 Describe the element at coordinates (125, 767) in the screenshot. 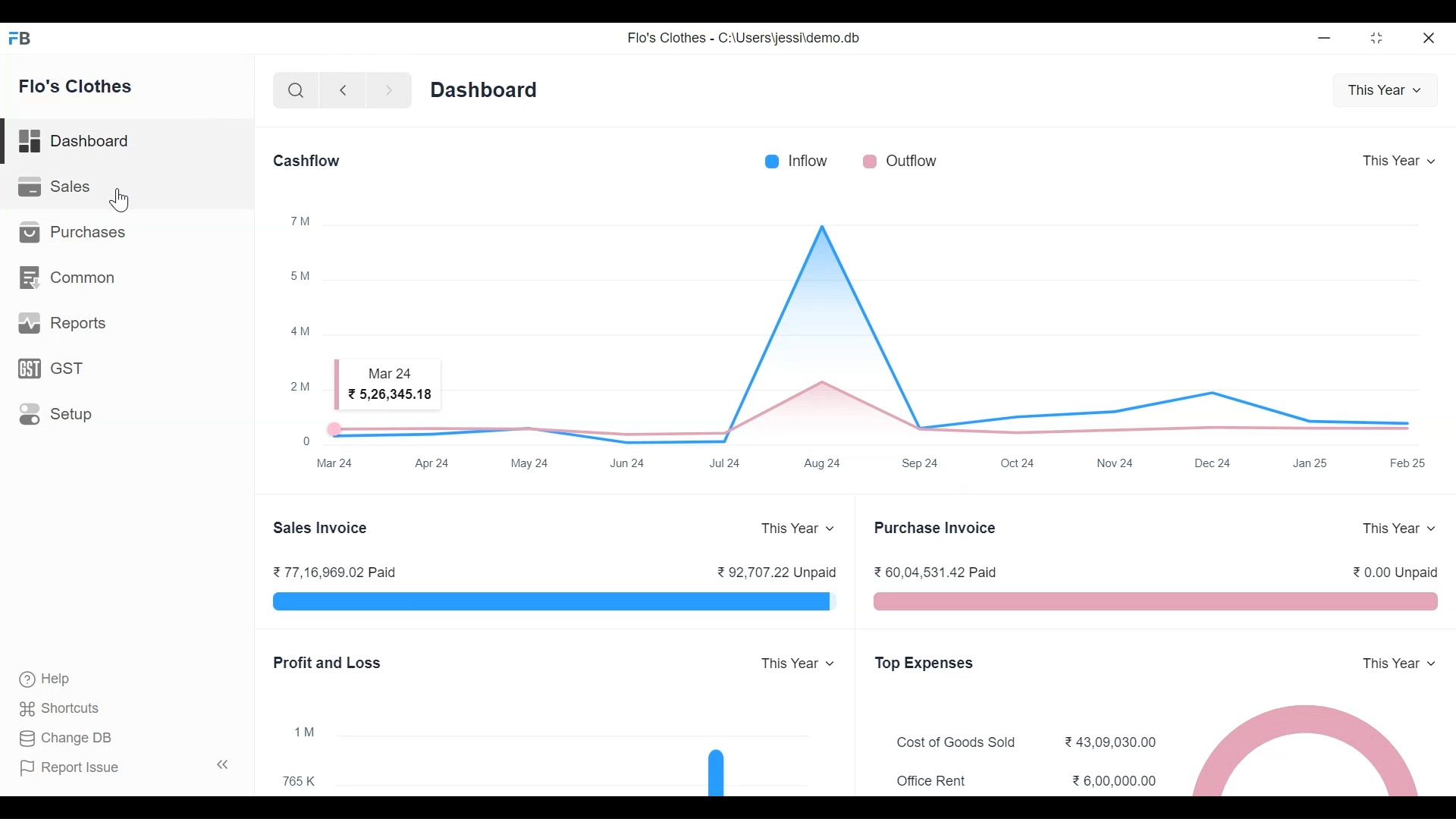

I see `Report Issue` at that location.